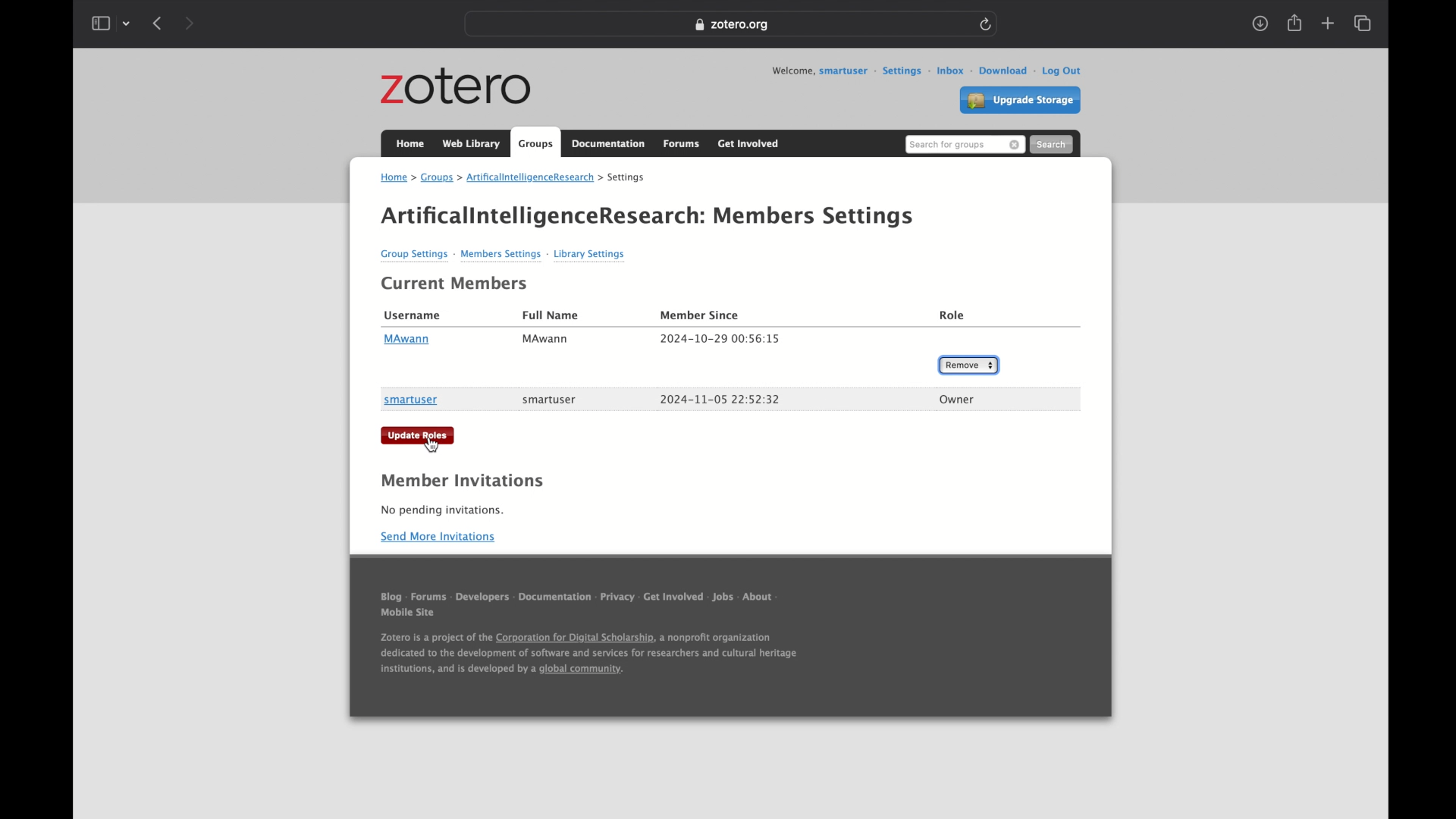 Image resolution: width=1456 pixels, height=819 pixels. Describe the element at coordinates (700, 315) in the screenshot. I see `member since` at that location.